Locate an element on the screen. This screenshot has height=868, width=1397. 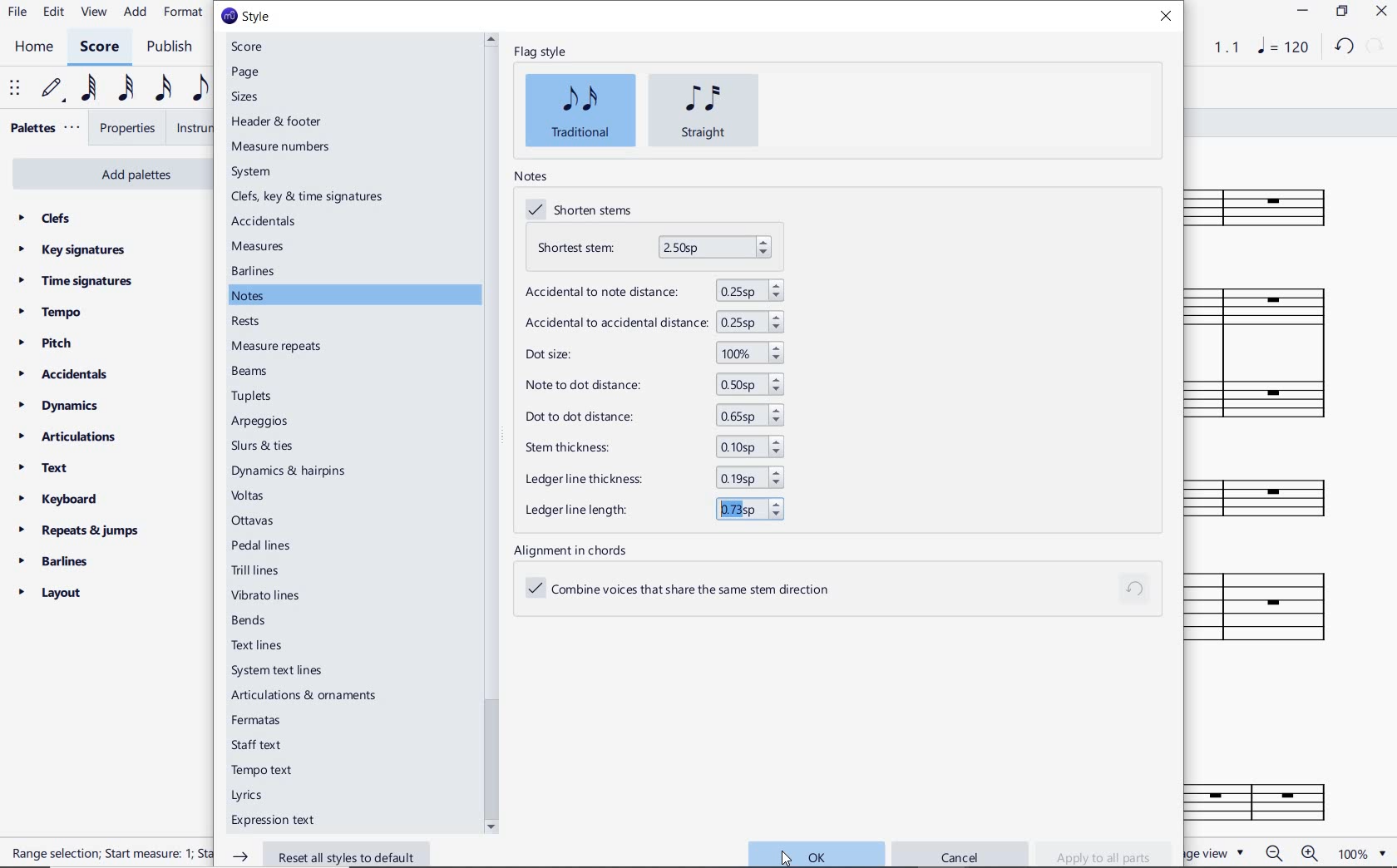
beams is located at coordinates (250, 371).